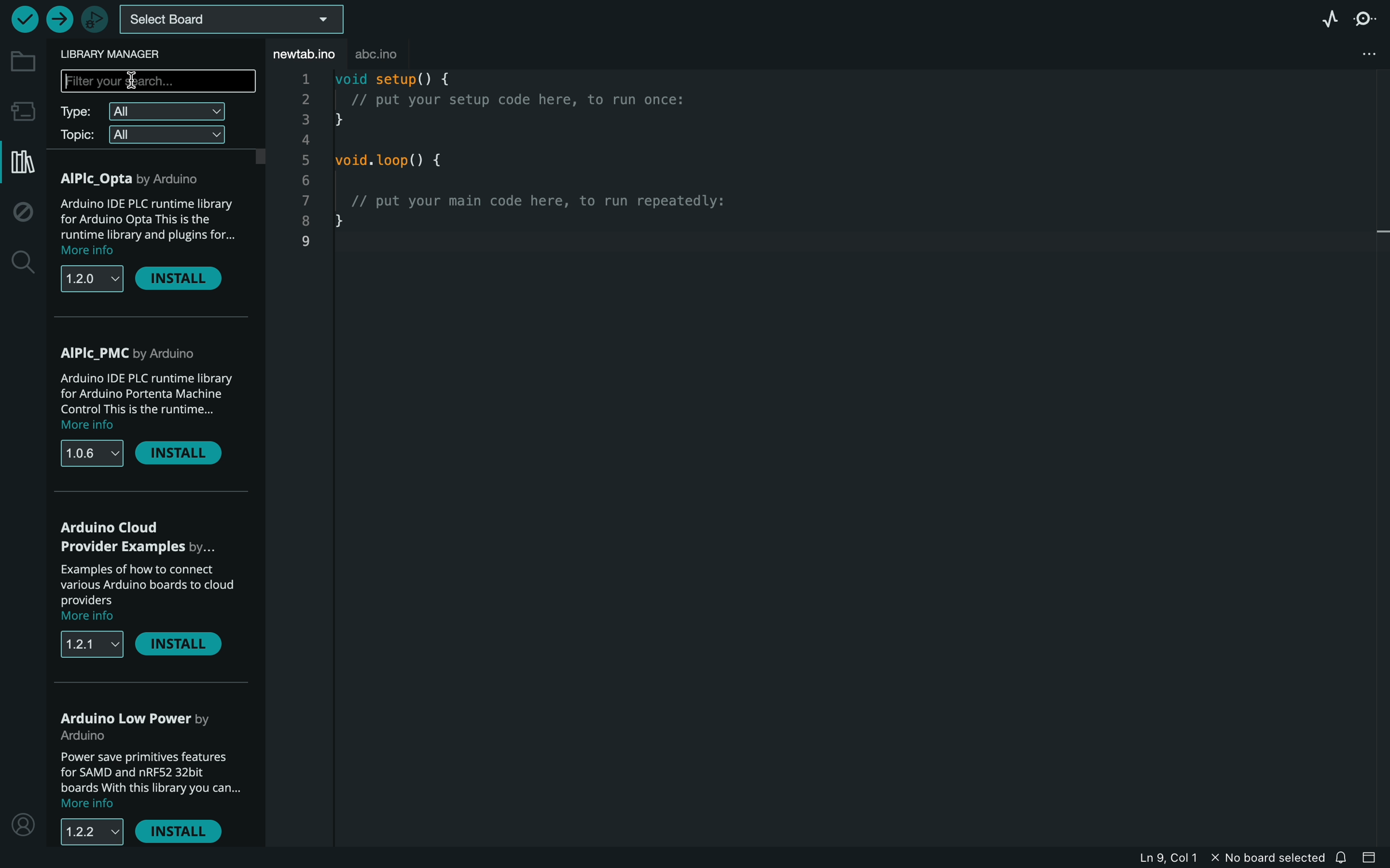 This screenshot has width=1390, height=868. What do you see at coordinates (149, 227) in the screenshot?
I see `description` at bounding box center [149, 227].